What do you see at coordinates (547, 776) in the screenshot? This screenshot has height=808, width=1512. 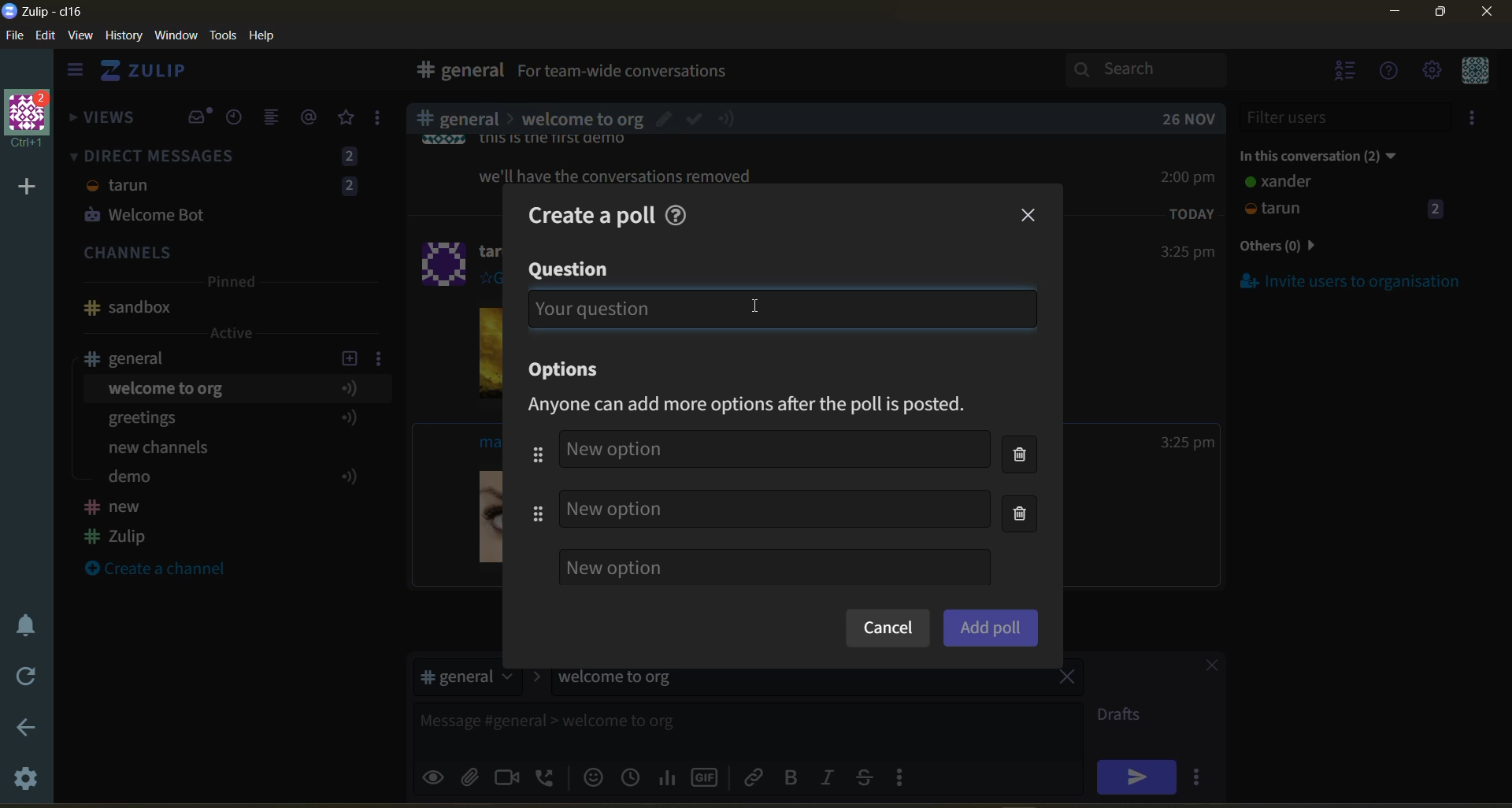 I see `add voice call` at bounding box center [547, 776].